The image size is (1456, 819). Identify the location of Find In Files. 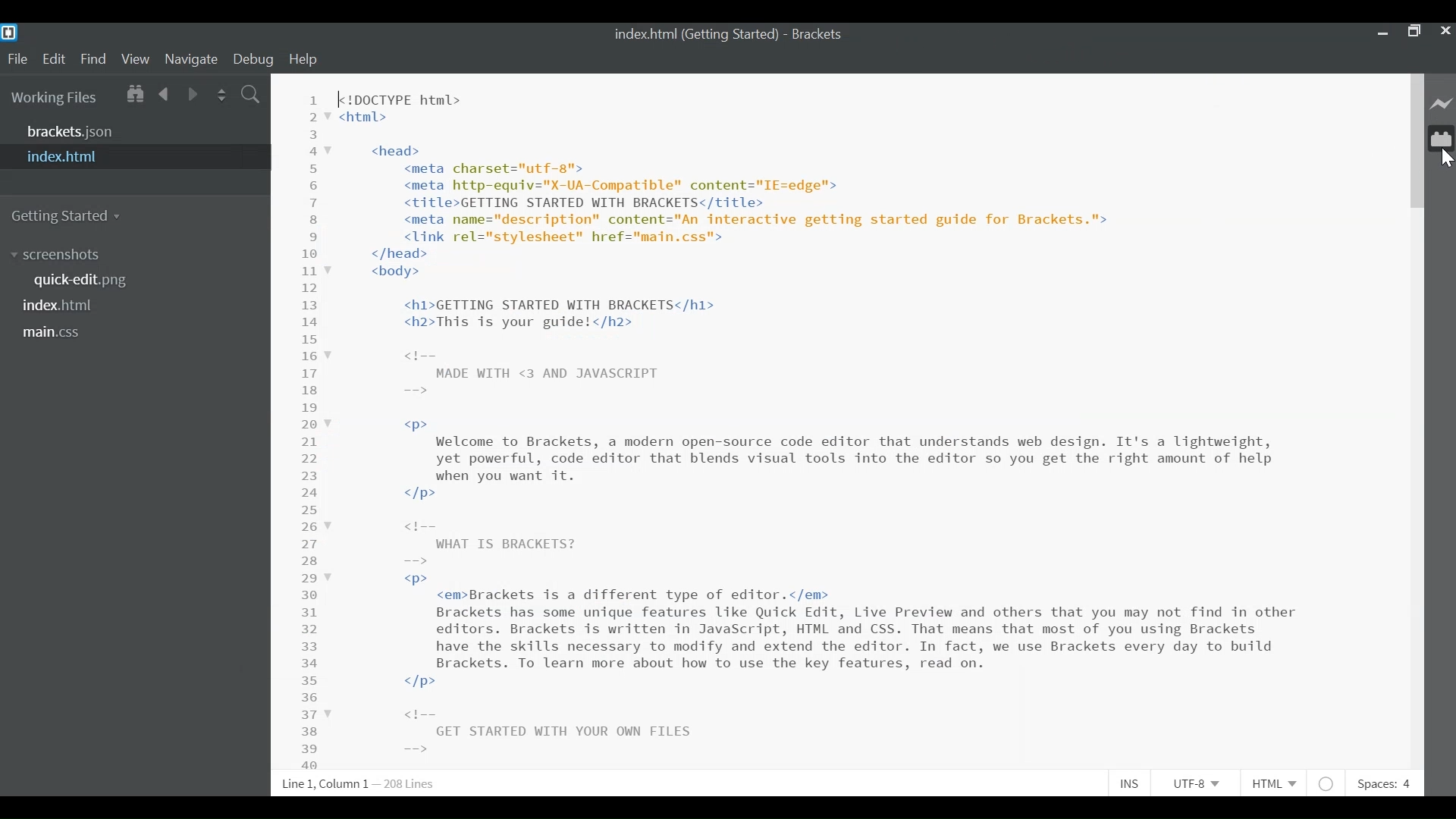
(252, 93).